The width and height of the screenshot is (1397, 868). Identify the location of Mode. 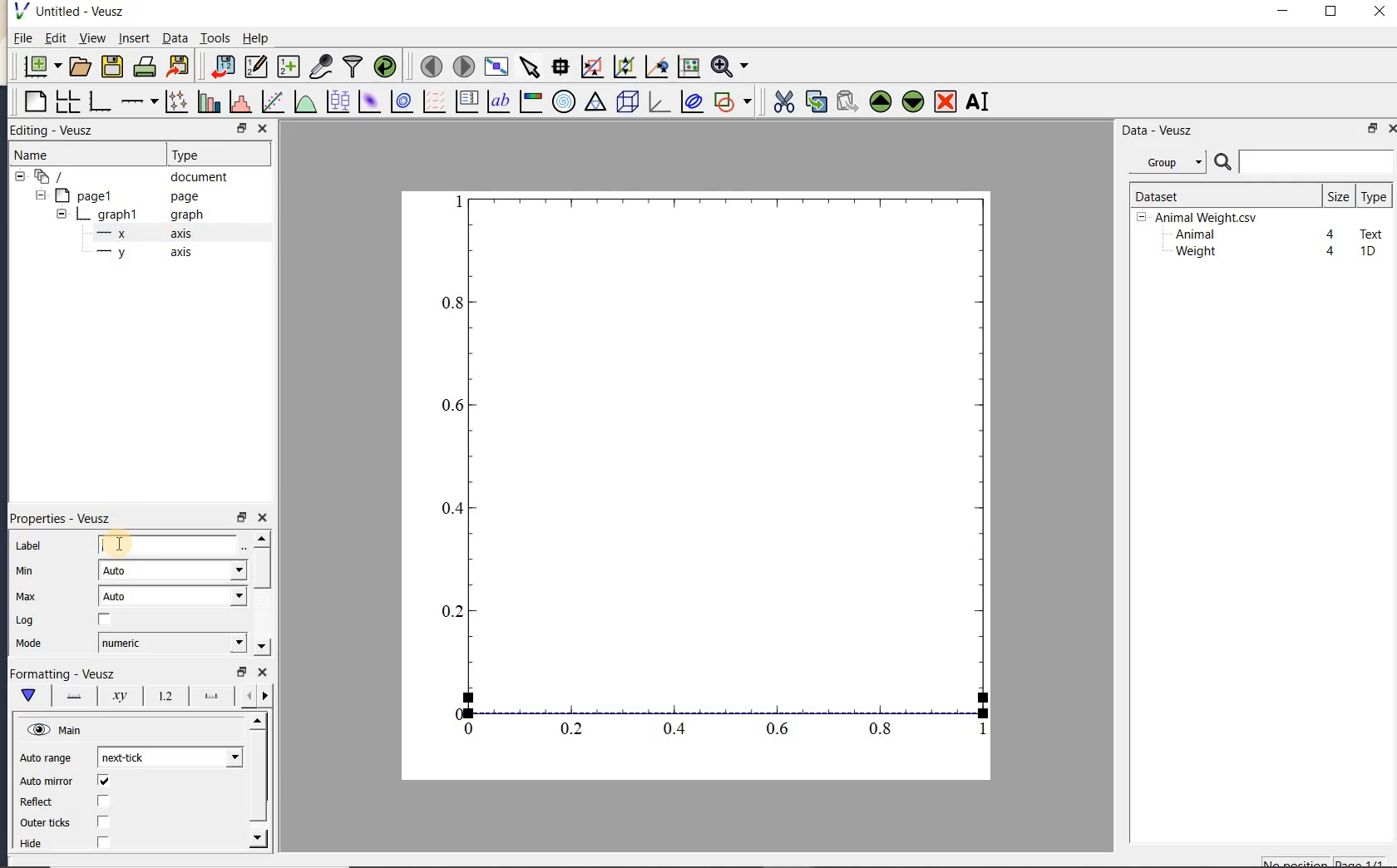
(28, 644).